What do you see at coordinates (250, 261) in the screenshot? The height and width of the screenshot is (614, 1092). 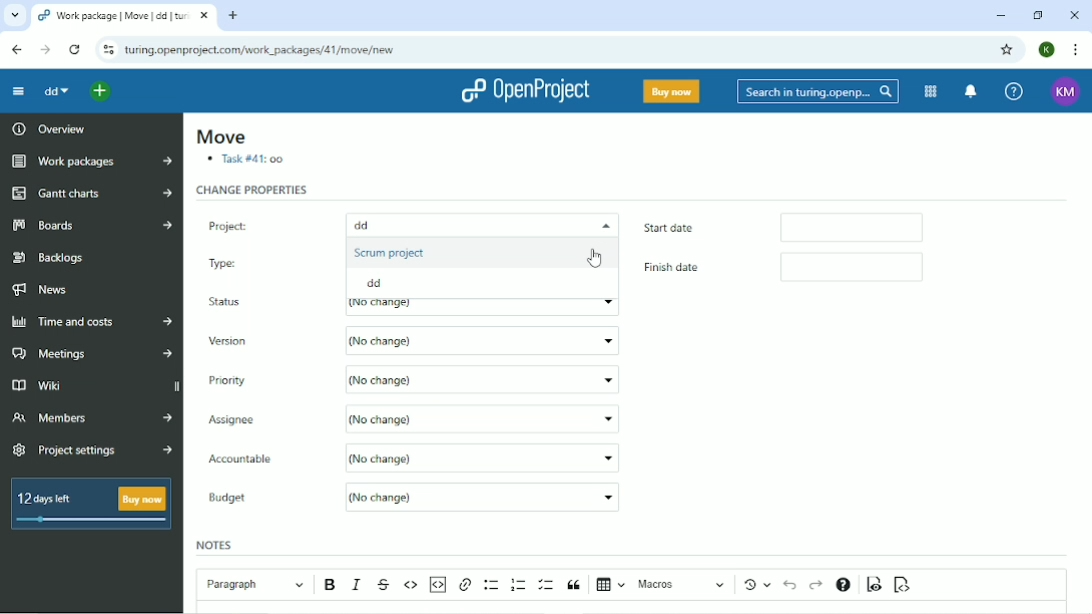 I see `Type` at bounding box center [250, 261].